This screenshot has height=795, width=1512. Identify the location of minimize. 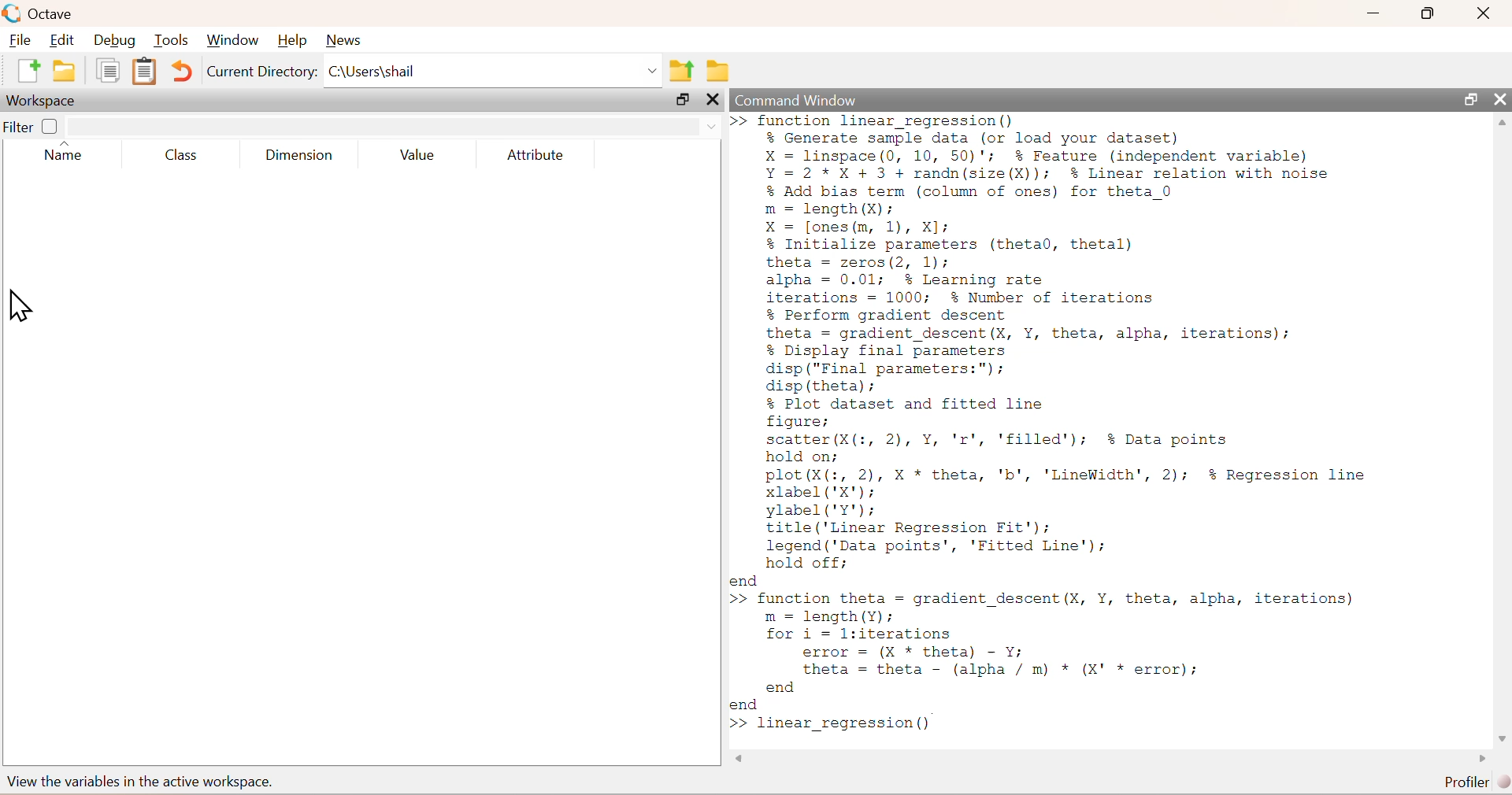
(1373, 15).